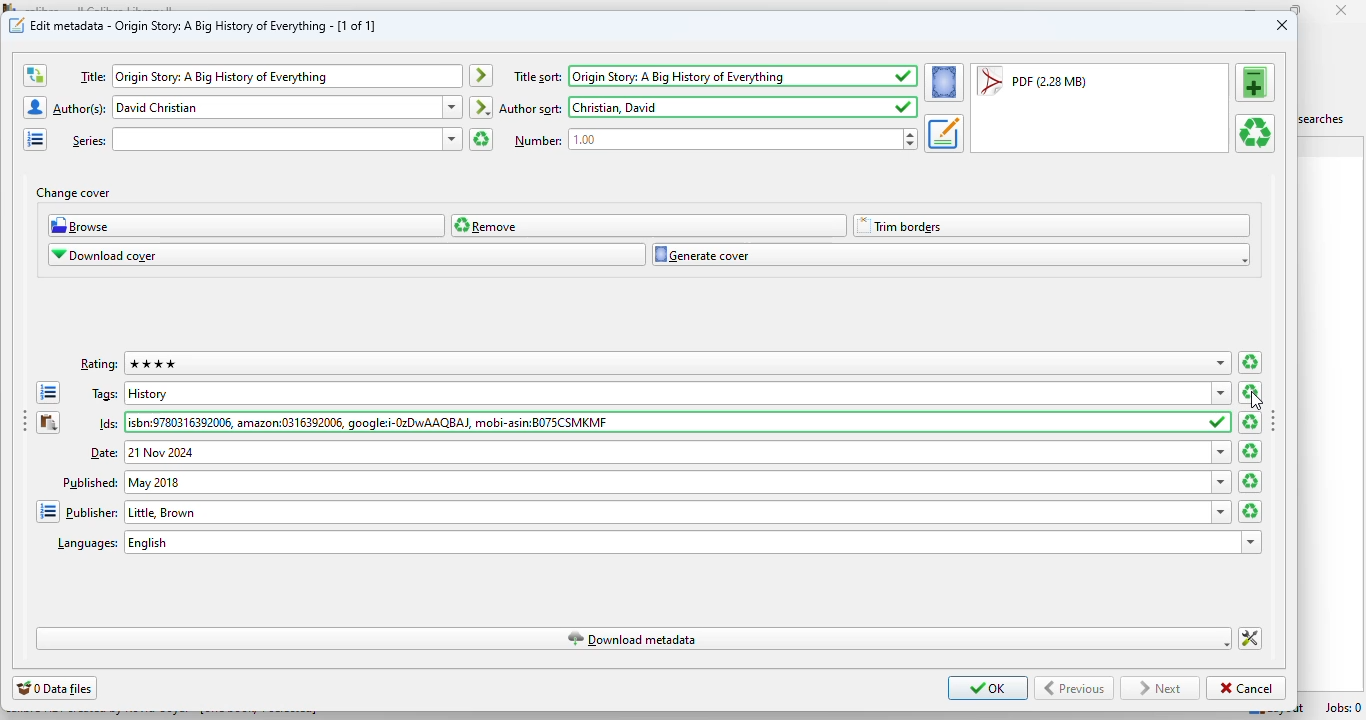  Describe the element at coordinates (699, 76) in the screenshot. I see `title sort: Origin Story: A Big History of Everything` at that location.